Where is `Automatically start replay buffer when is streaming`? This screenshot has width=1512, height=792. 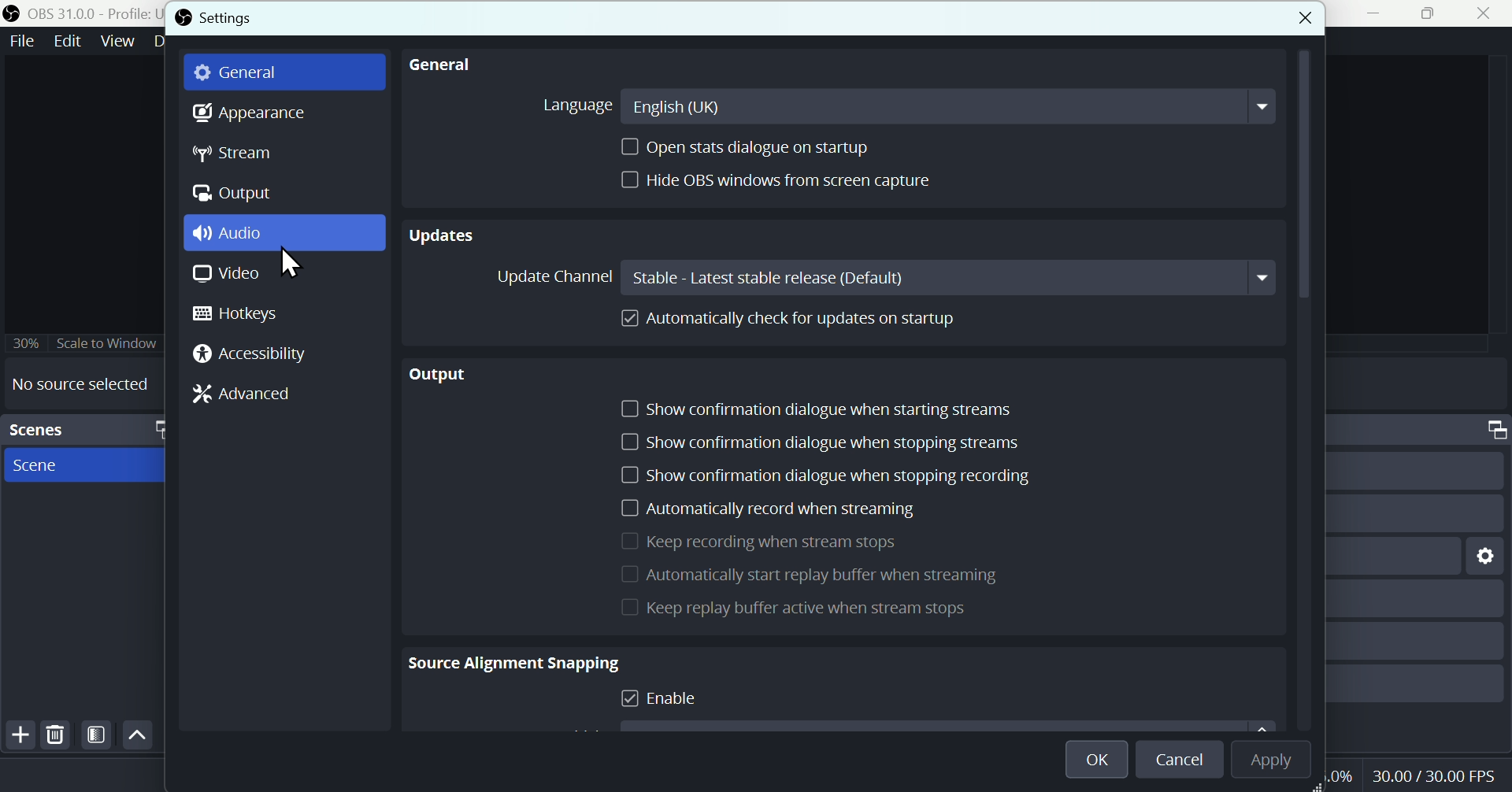
Automatically start replay buffer when is streaming is located at coordinates (880, 579).